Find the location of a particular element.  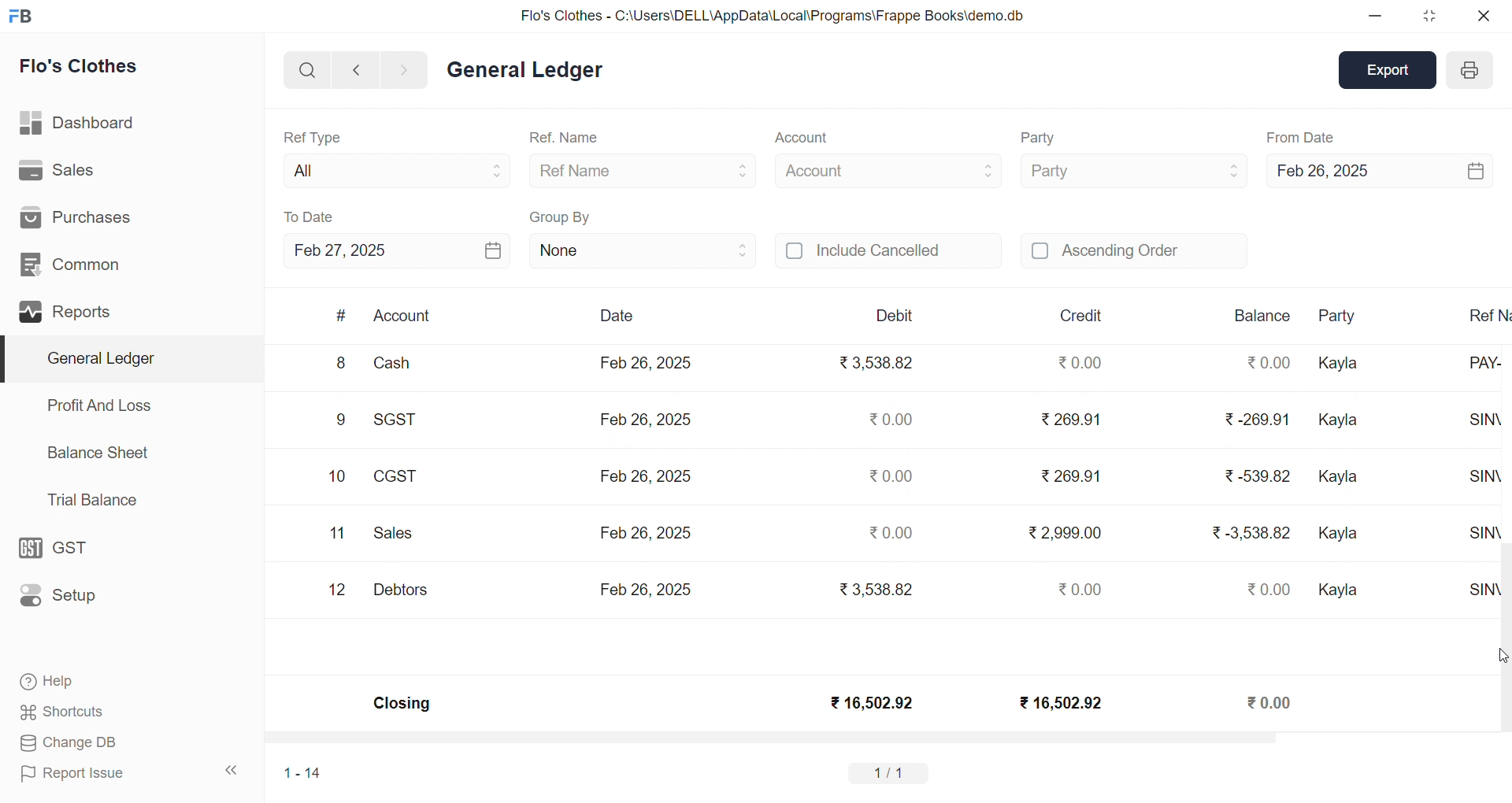

11 is located at coordinates (337, 534).